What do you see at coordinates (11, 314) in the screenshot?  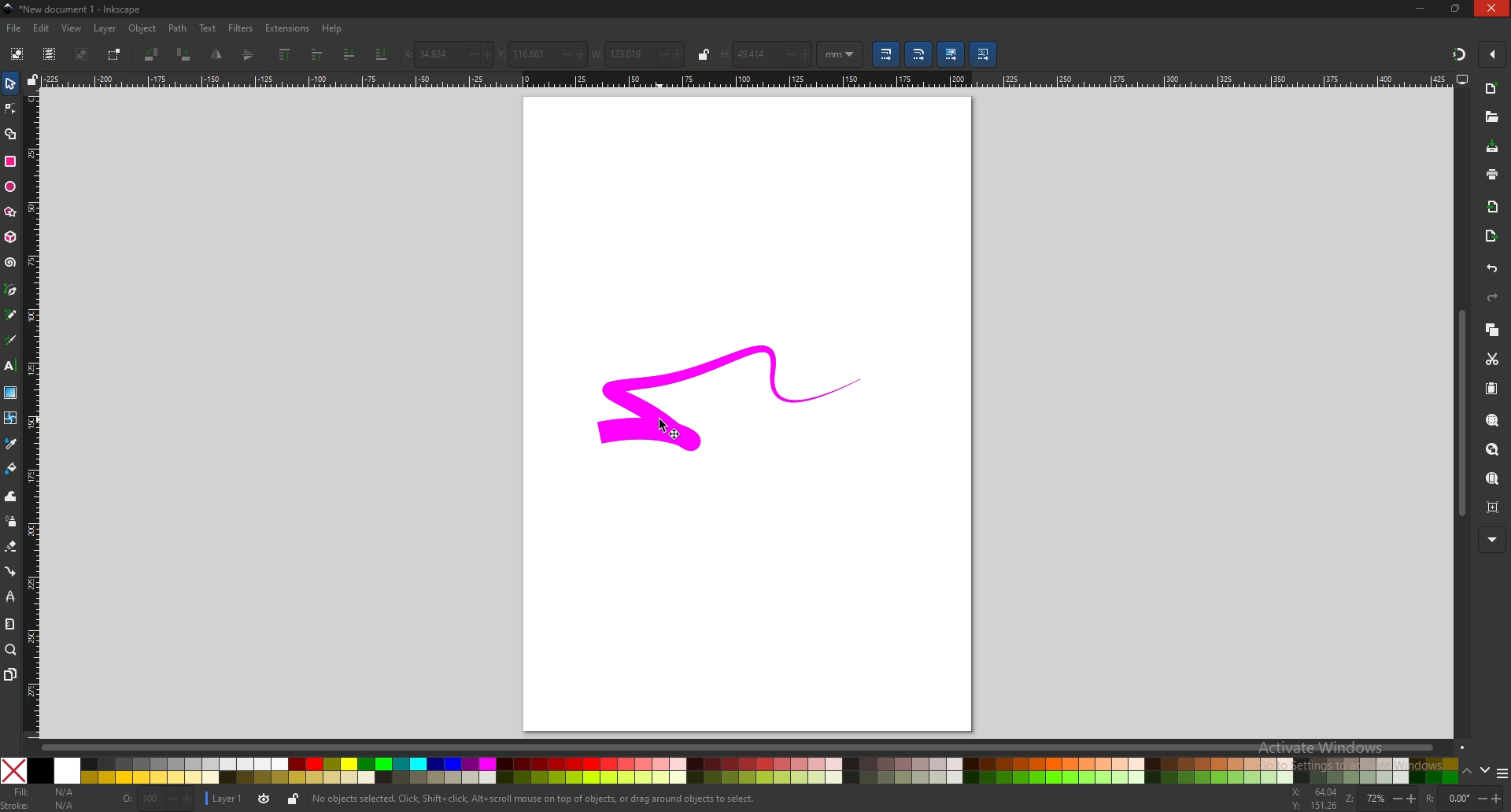 I see `pencil` at bounding box center [11, 314].